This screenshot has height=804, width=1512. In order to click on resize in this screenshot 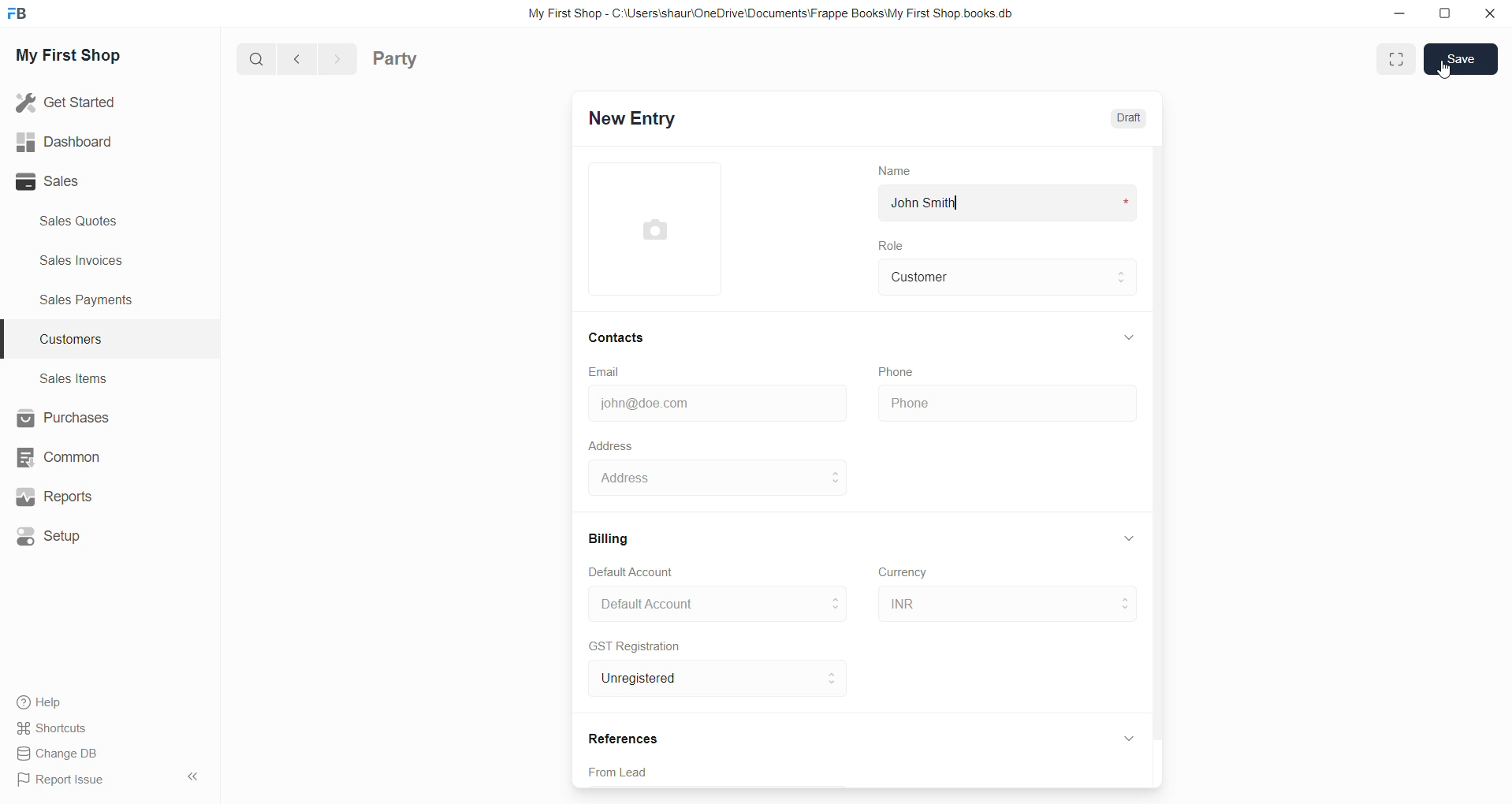, I will do `click(1447, 16)`.